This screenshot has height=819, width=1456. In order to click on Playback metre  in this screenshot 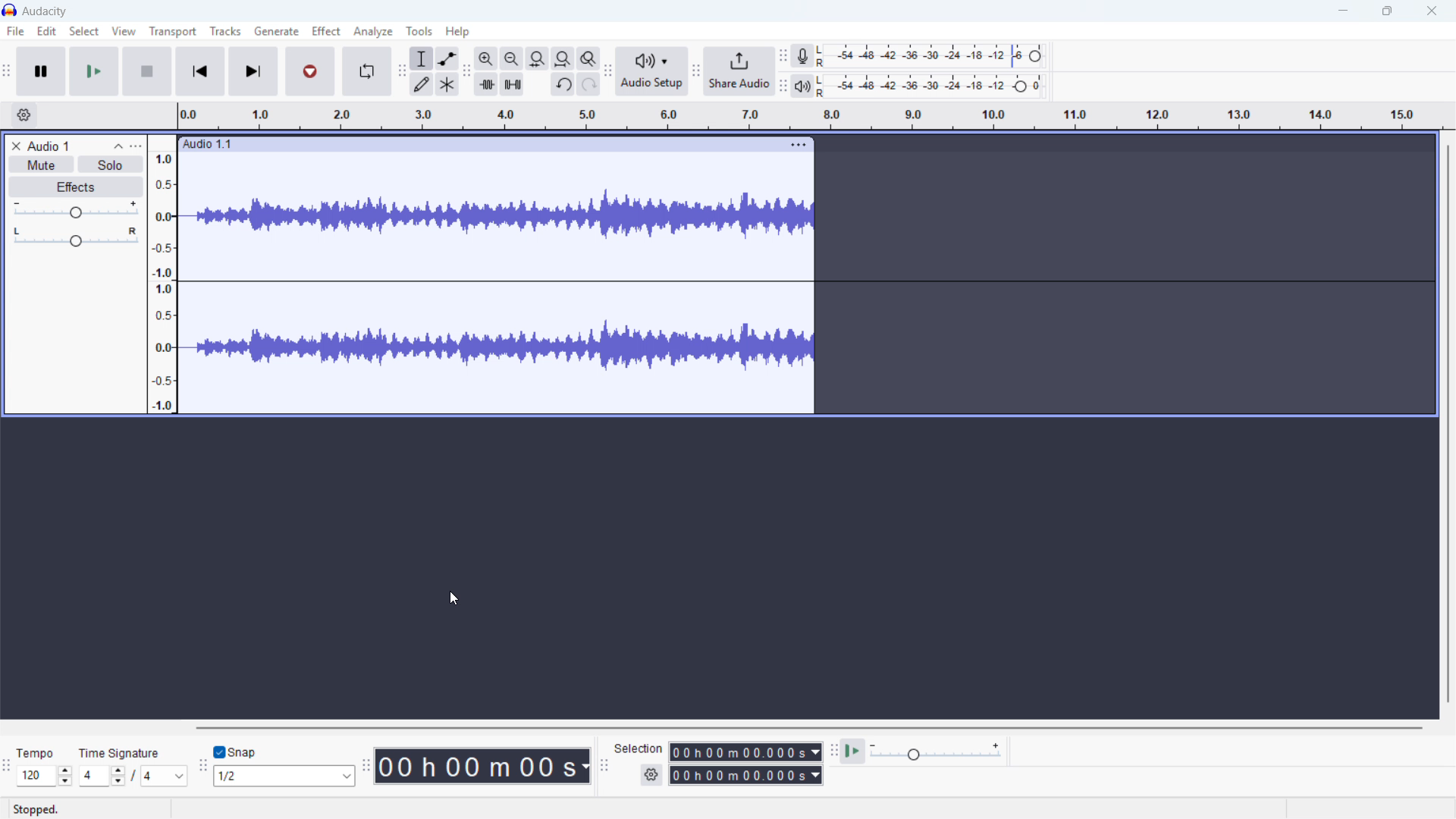, I will do `click(803, 86)`.